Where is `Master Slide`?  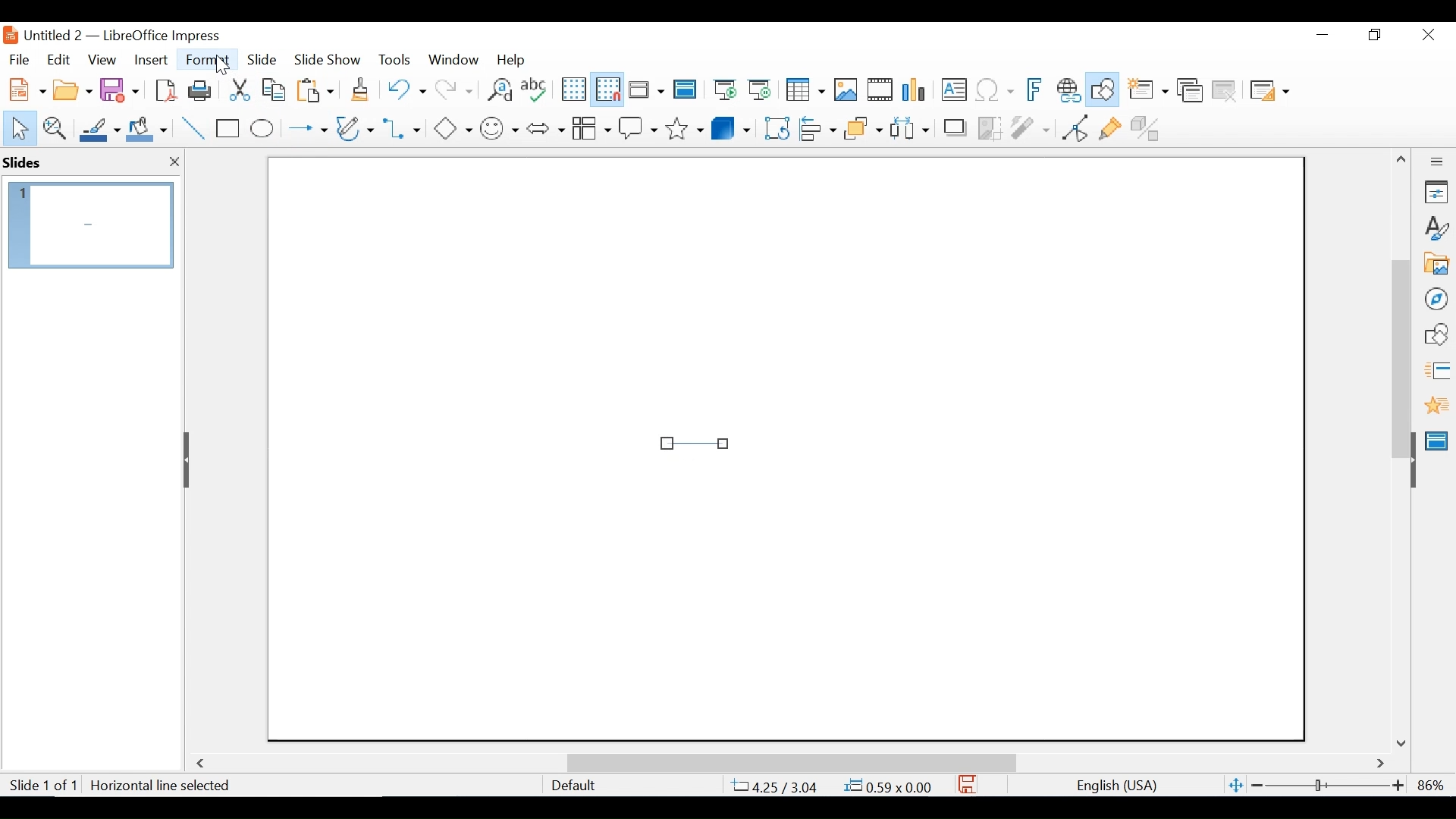 Master Slide is located at coordinates (1439, 439).